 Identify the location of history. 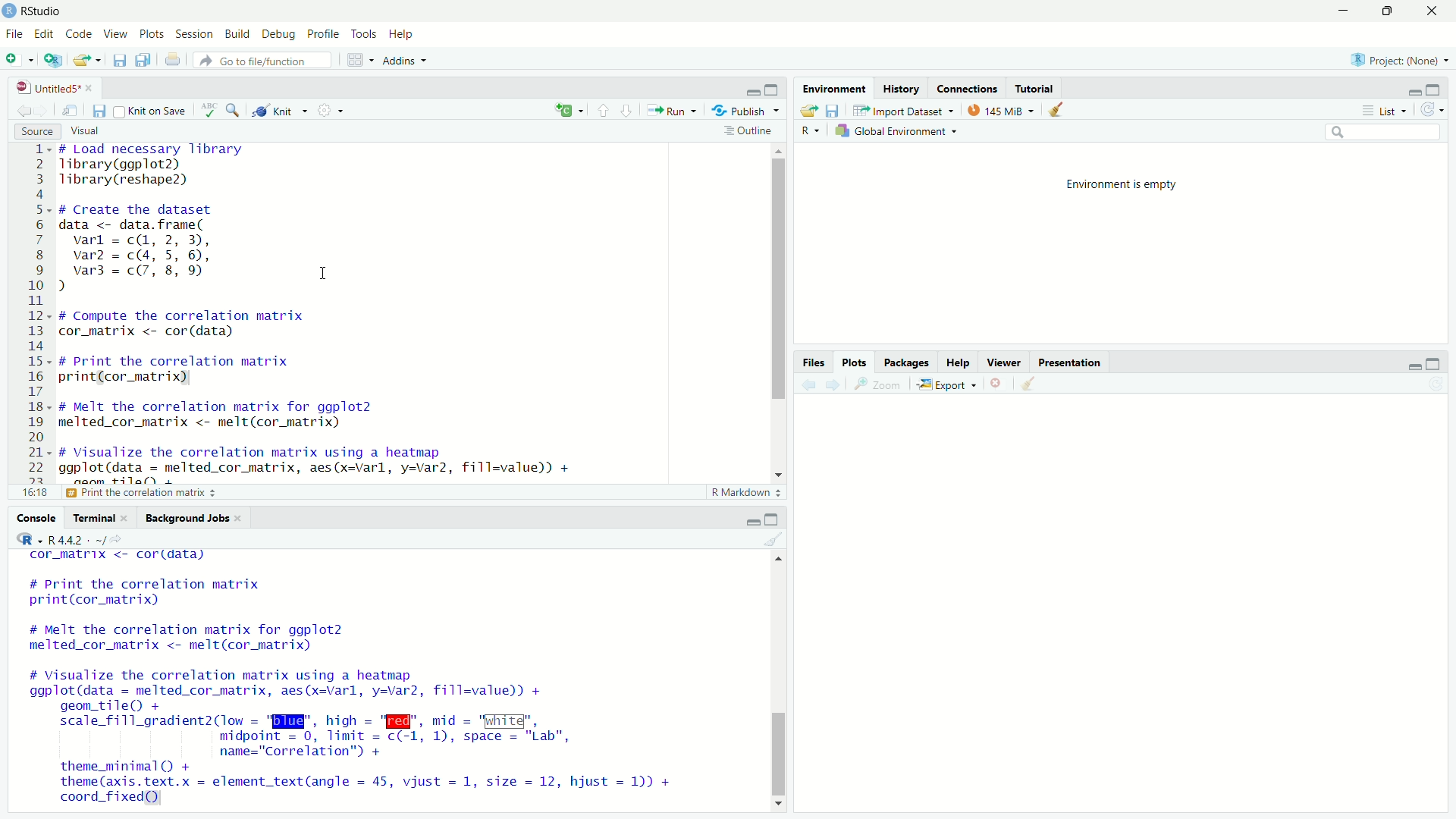
(903, 88).